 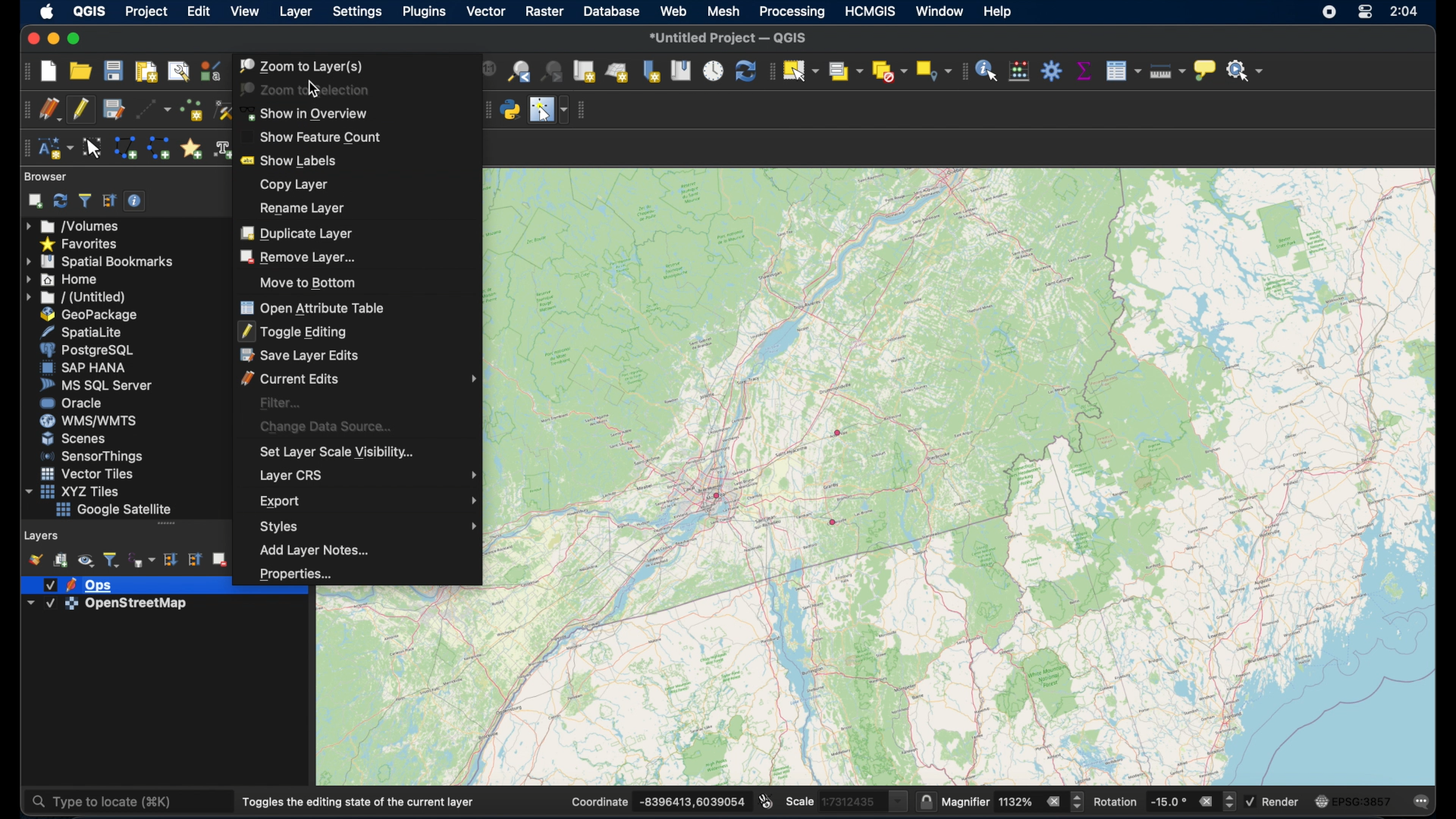 What do you see at coordinates (328, 425) in the screenshot?
I see `change data source` at bounding box center [328, 425].